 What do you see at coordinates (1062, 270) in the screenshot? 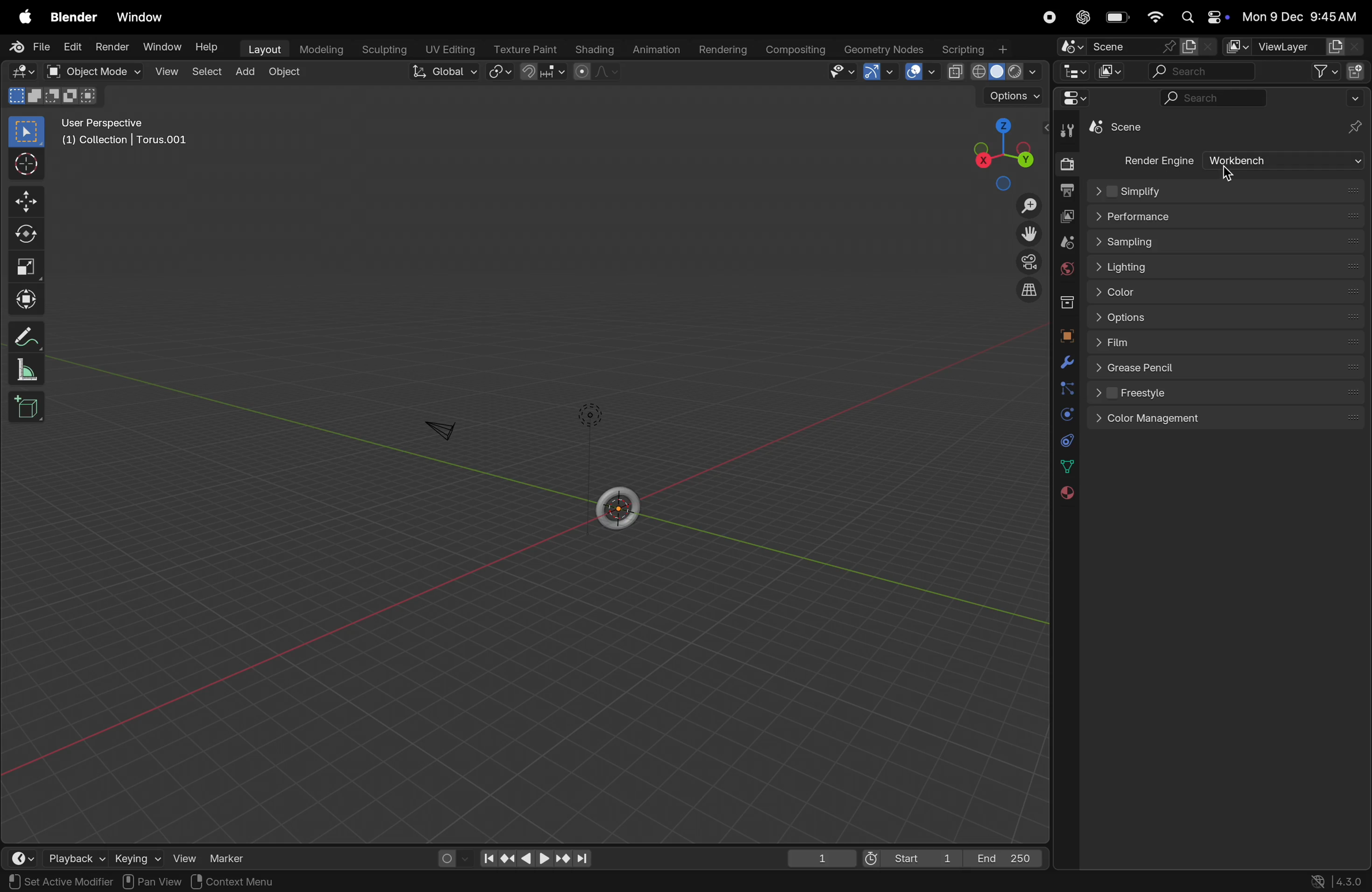
I see `world` at bounding box center [1062, 270].